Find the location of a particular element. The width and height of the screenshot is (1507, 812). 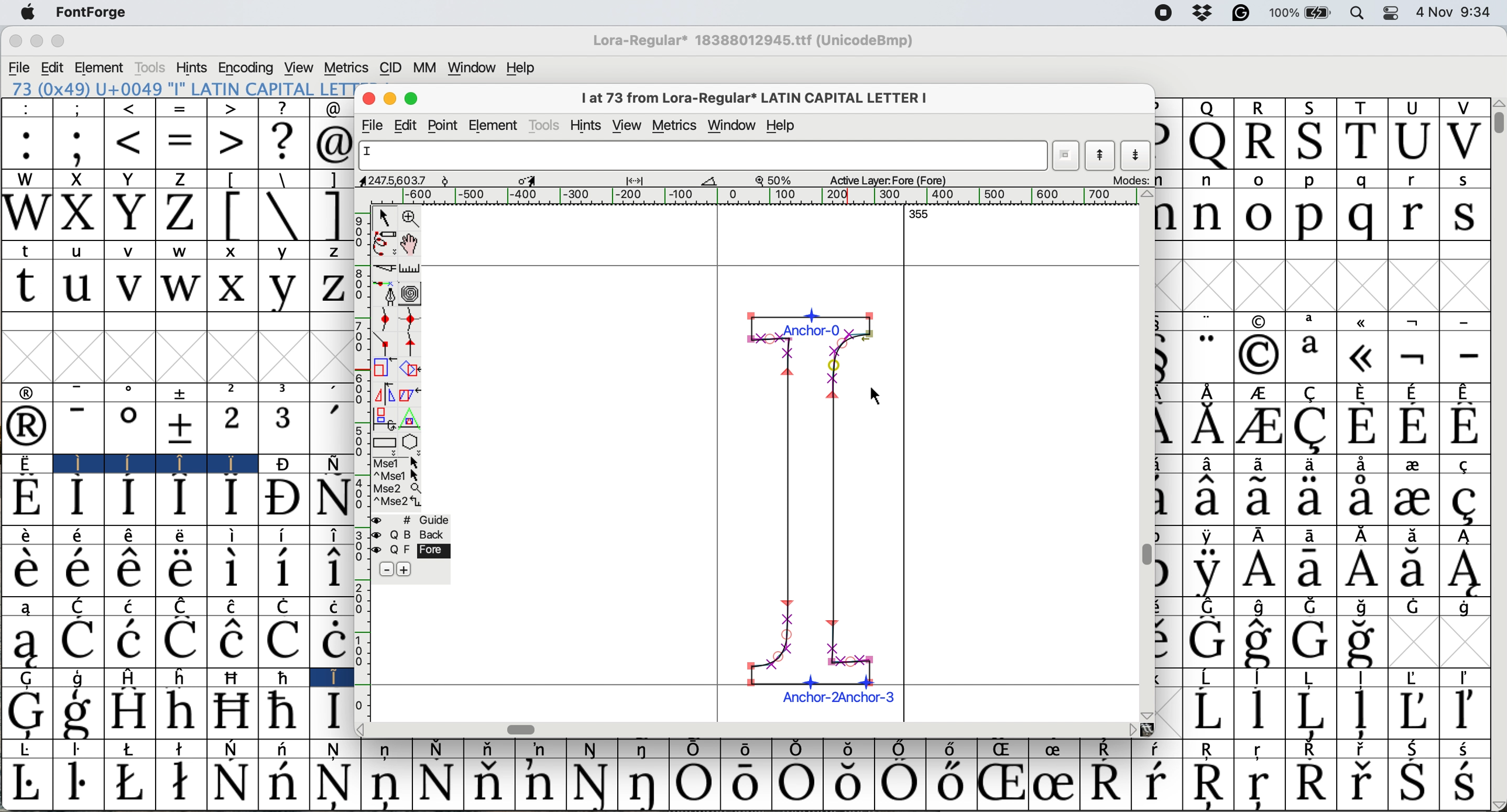

 is located at coordinates (1129, 729).